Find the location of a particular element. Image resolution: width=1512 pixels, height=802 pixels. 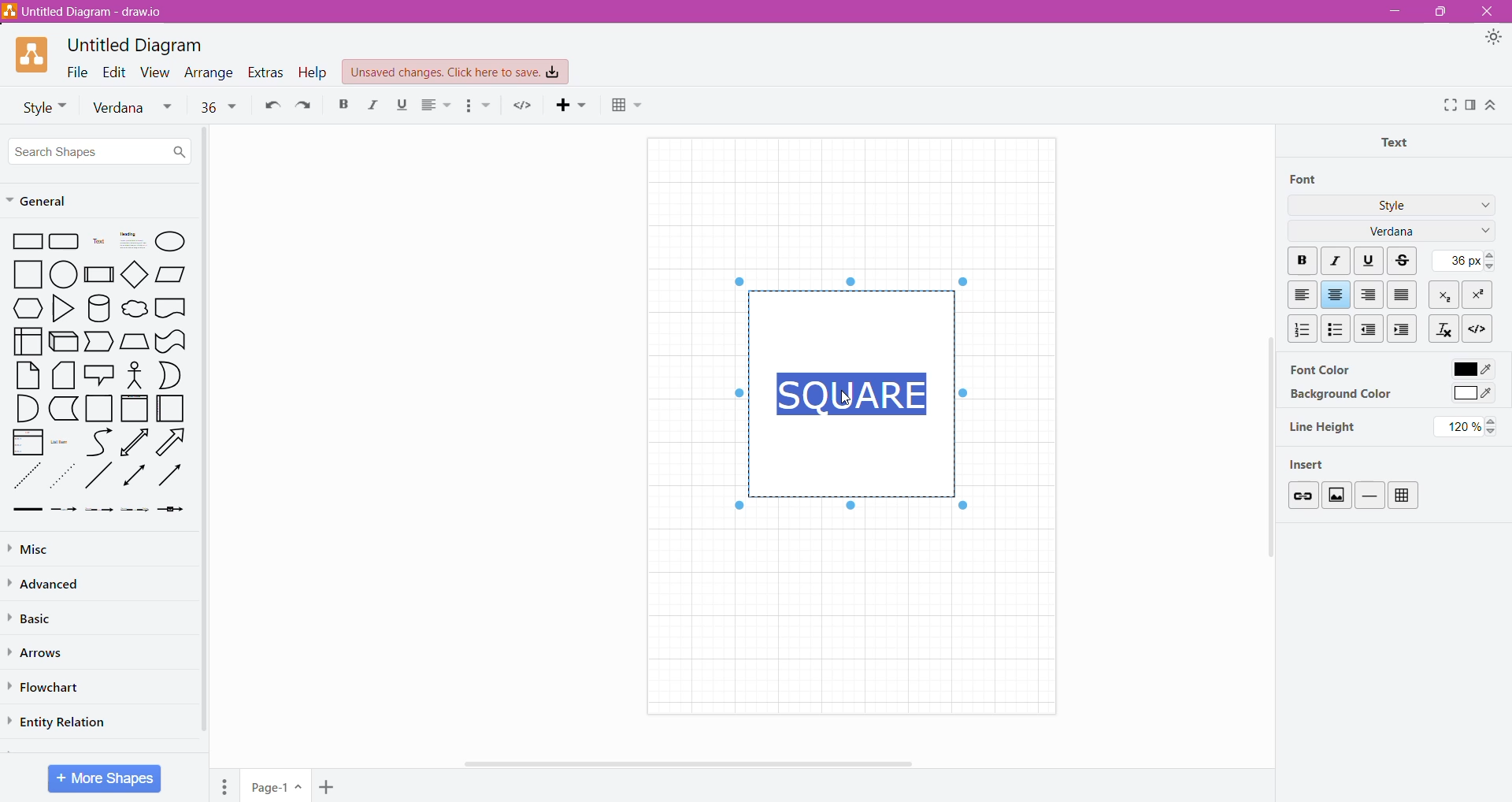

Insert is located at coordinates (1314, 463).